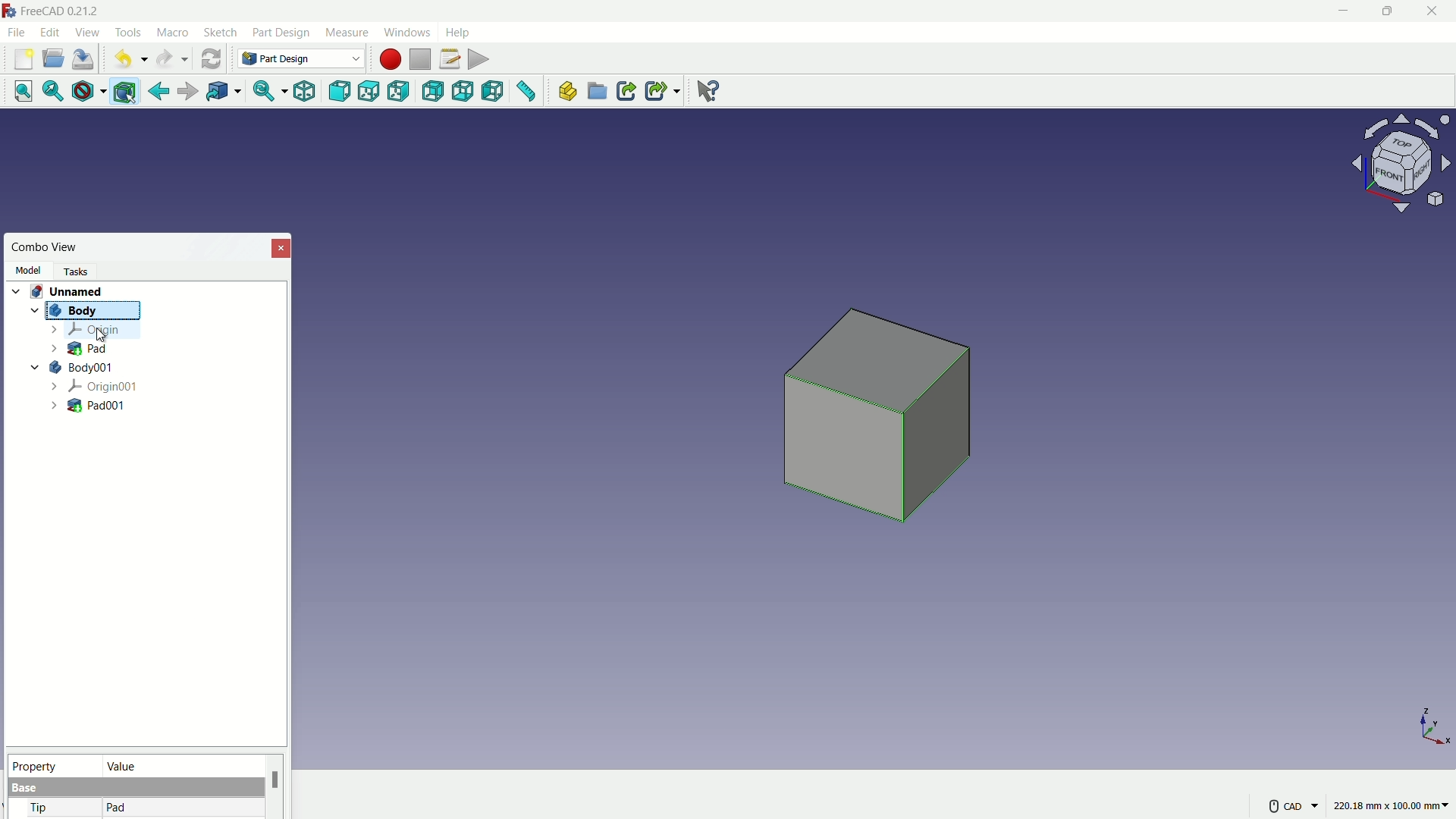 The height and width of the screenshot is (819, 1456). What do you see at coordinates (186, 93) in the screenshot?
I see `forward` at bounding box center [186, 93].